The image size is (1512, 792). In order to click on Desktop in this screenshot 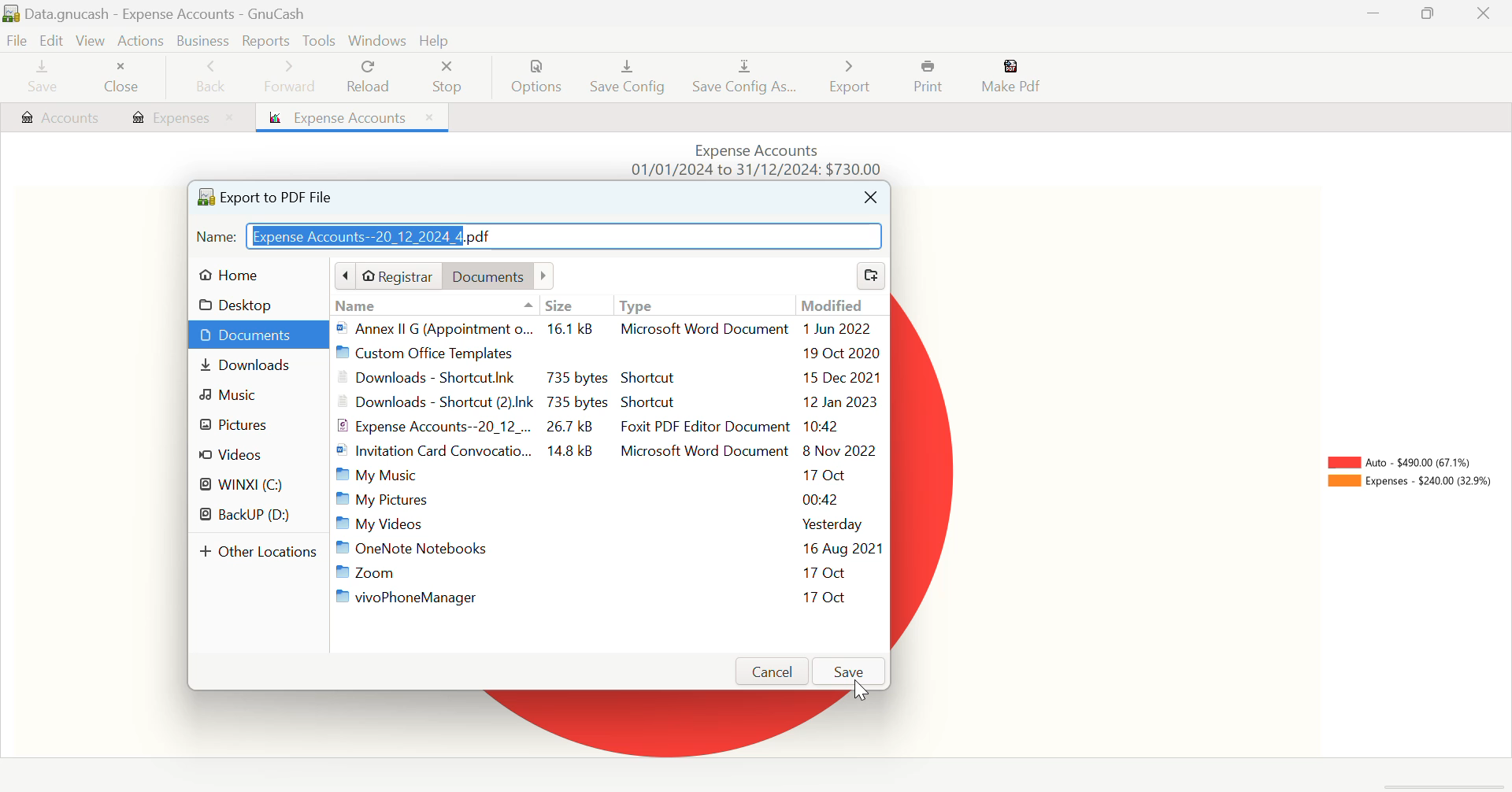, I will do `click(241, 305)`.